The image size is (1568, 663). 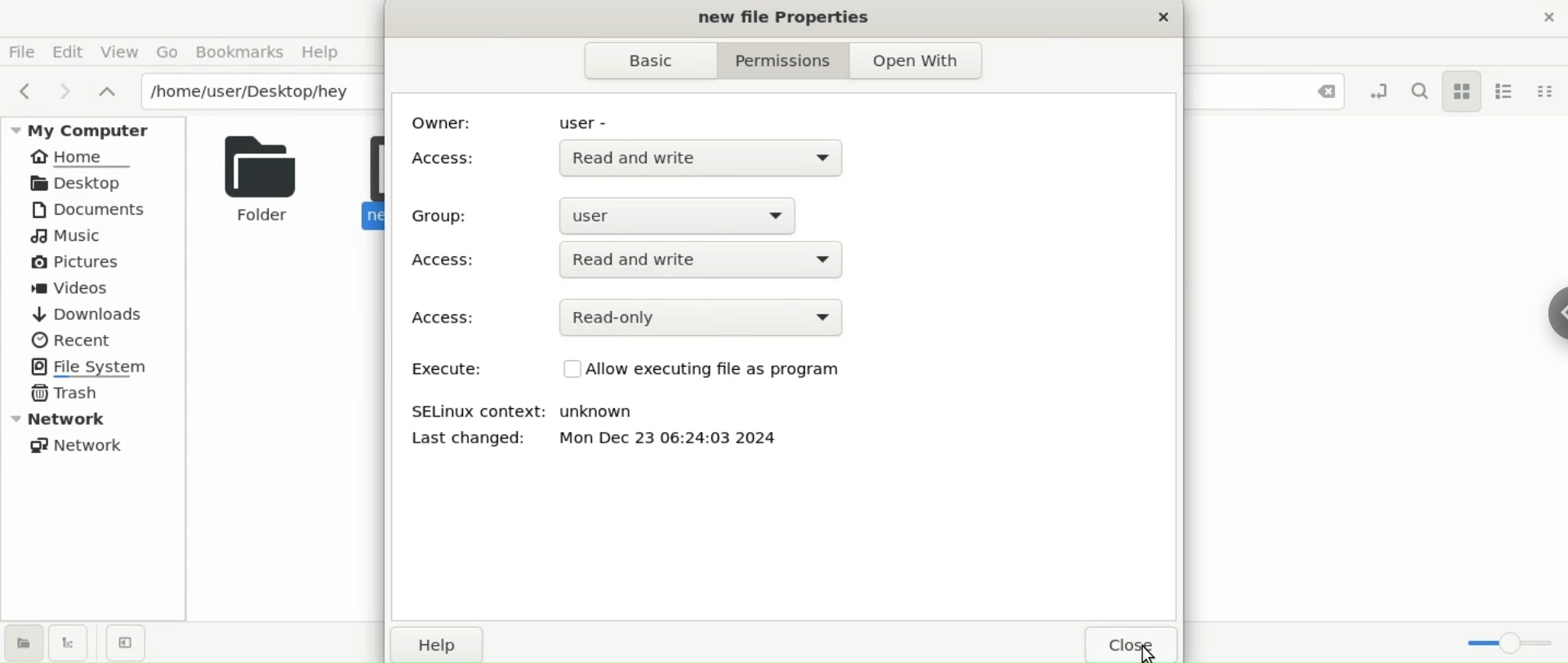 I want to click on show places, so click(x=23, y=642).